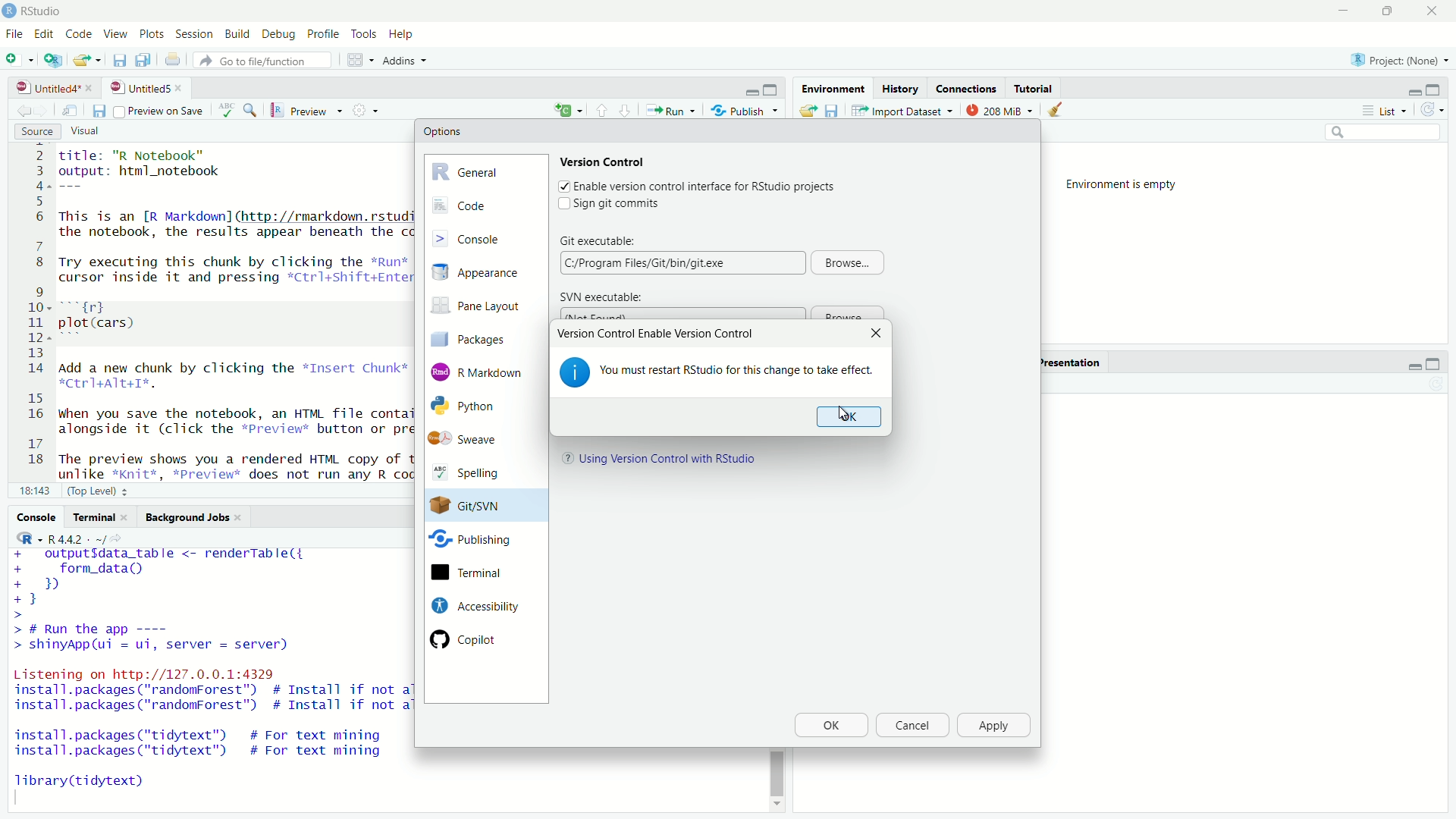  I want to click on Terminal, so click(472, 573).